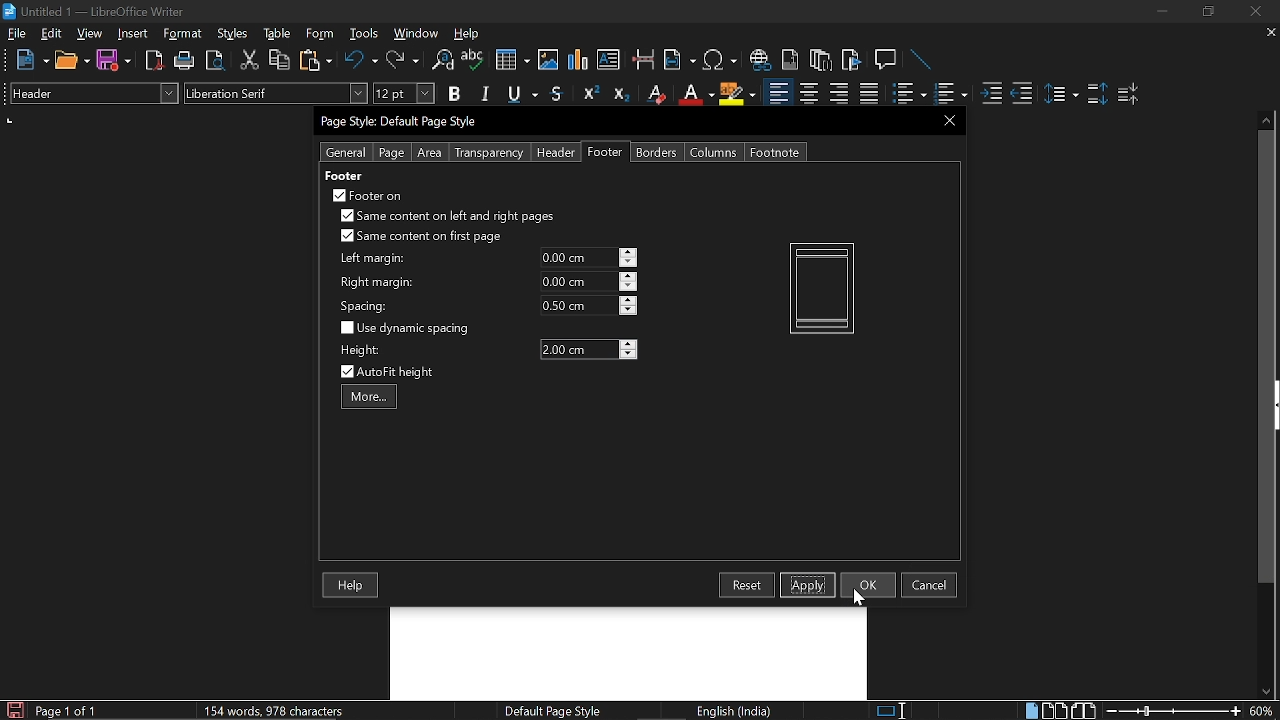  What do you see at coordinates (400, 372) in the screenshot?
I see `Auto fit height` at bounding box center [400, 372].